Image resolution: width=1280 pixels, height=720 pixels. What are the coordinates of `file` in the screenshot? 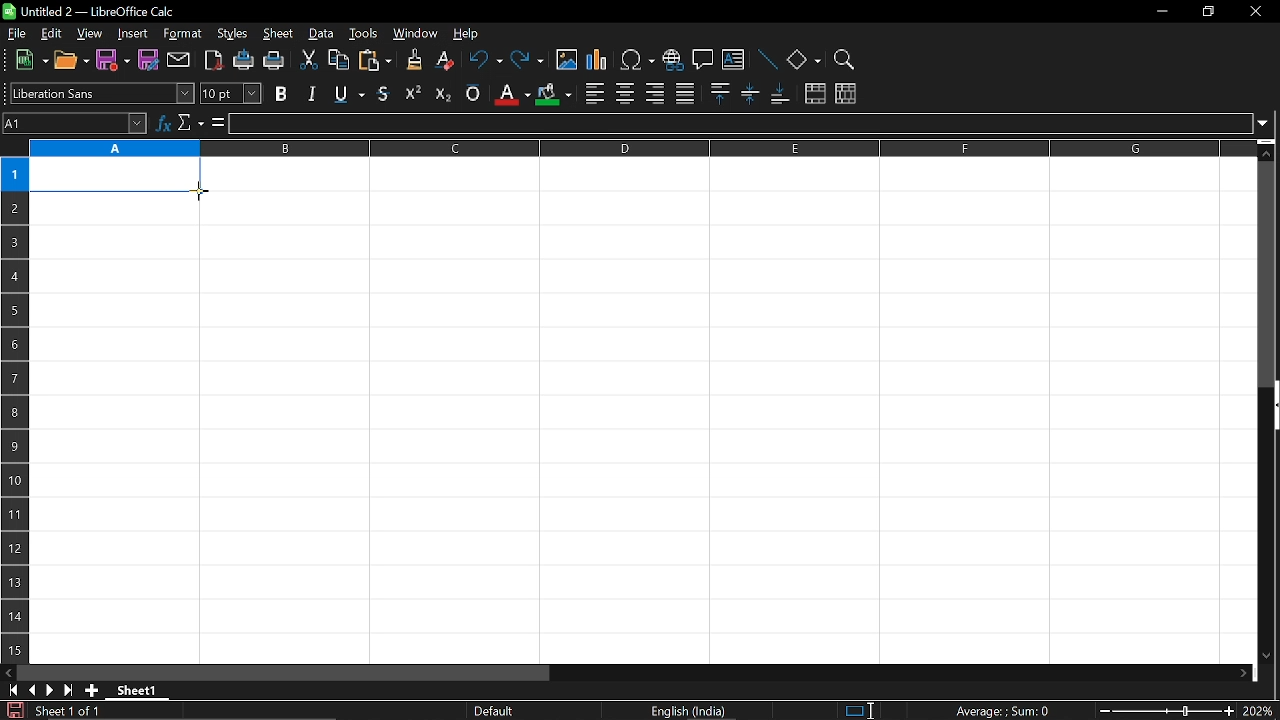 It's located at (17, 33).